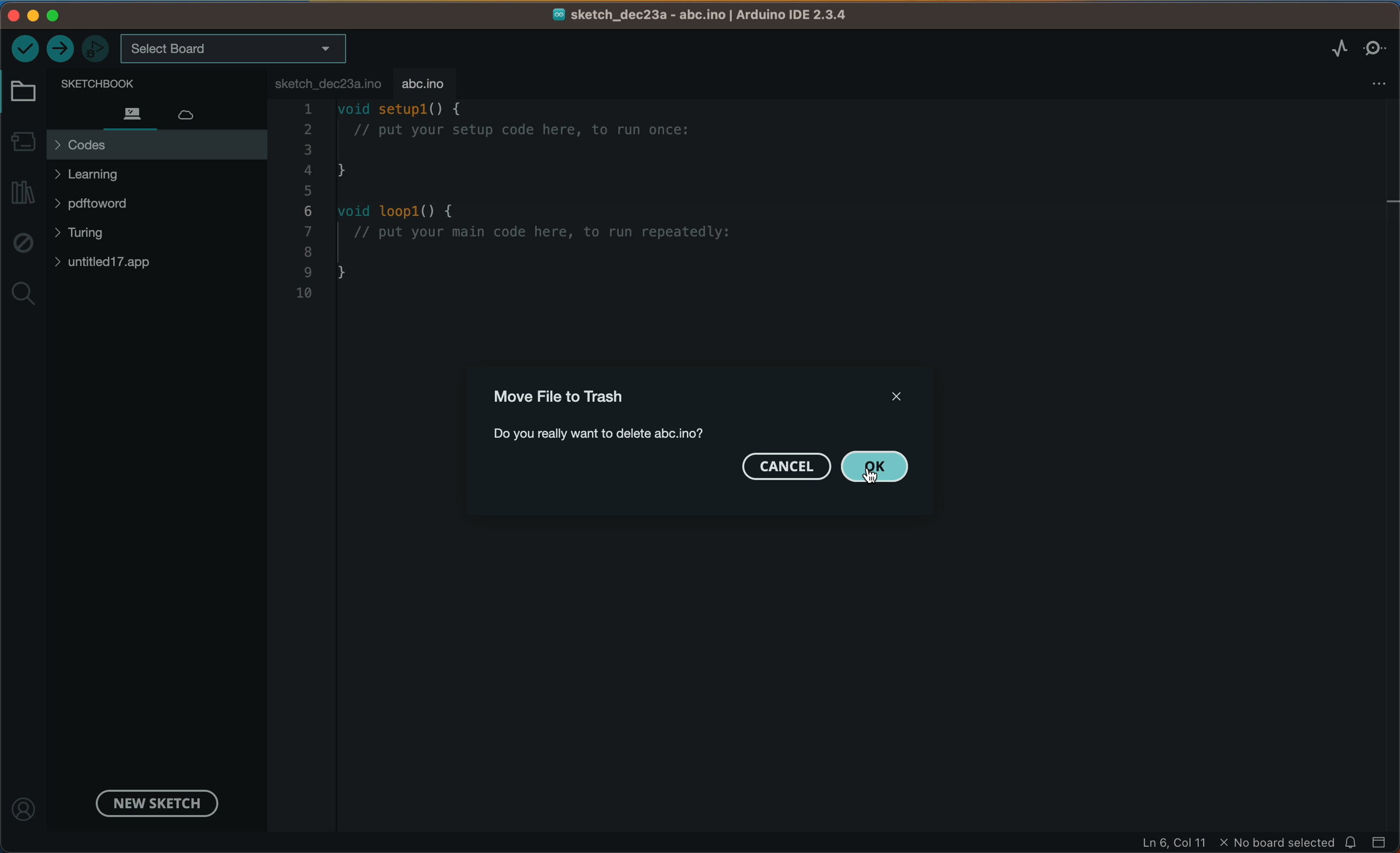  What do you see at coordinates (706, 15) in the screenshot?
I see `file name` at bounding box center [706, 15].